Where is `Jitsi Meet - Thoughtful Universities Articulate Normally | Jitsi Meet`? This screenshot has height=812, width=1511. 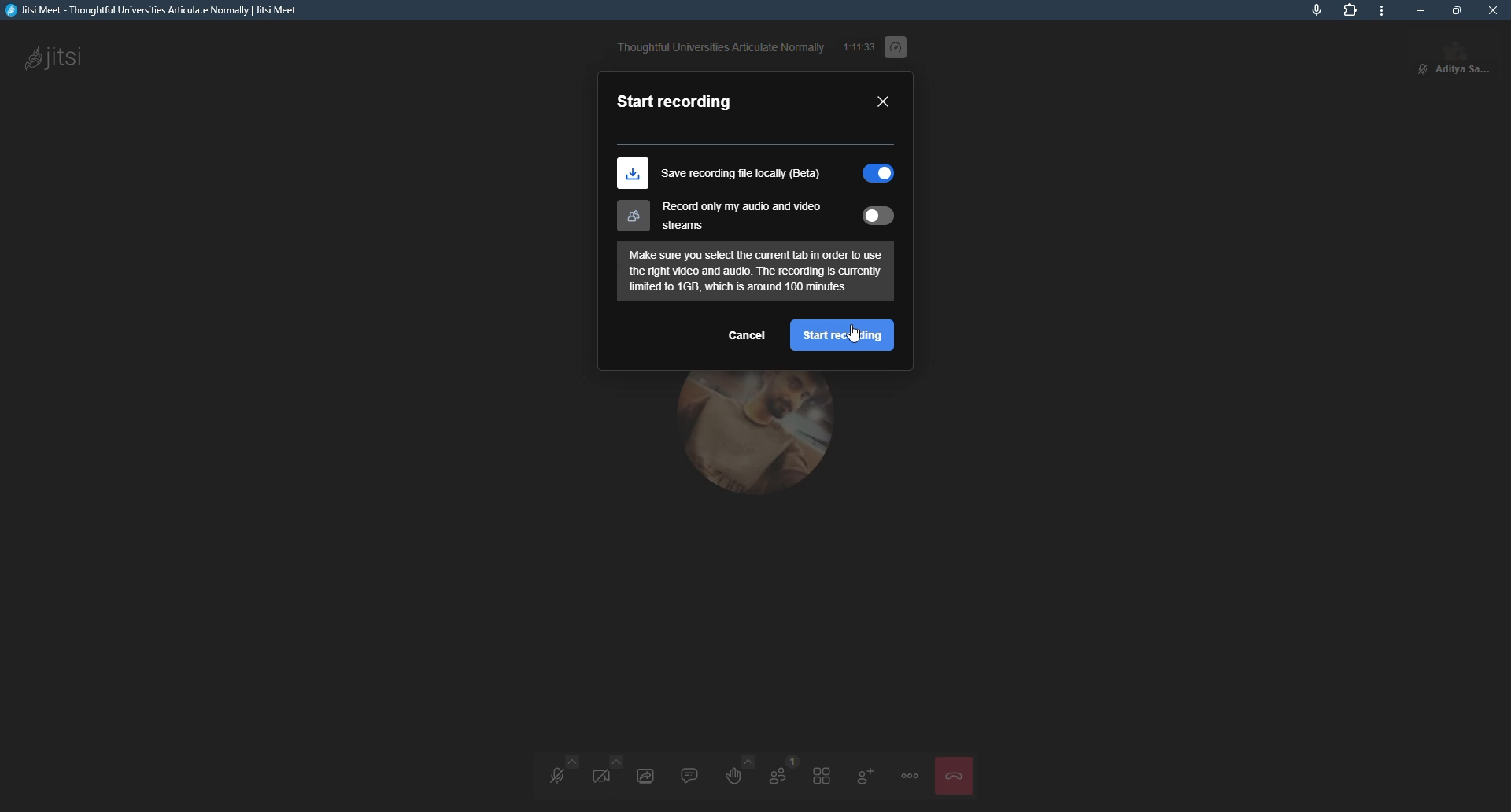
Jitsi Meet - Thoughtful Universities Articulate Normally | Jitsi Meet is located at coordinates (172, 12).